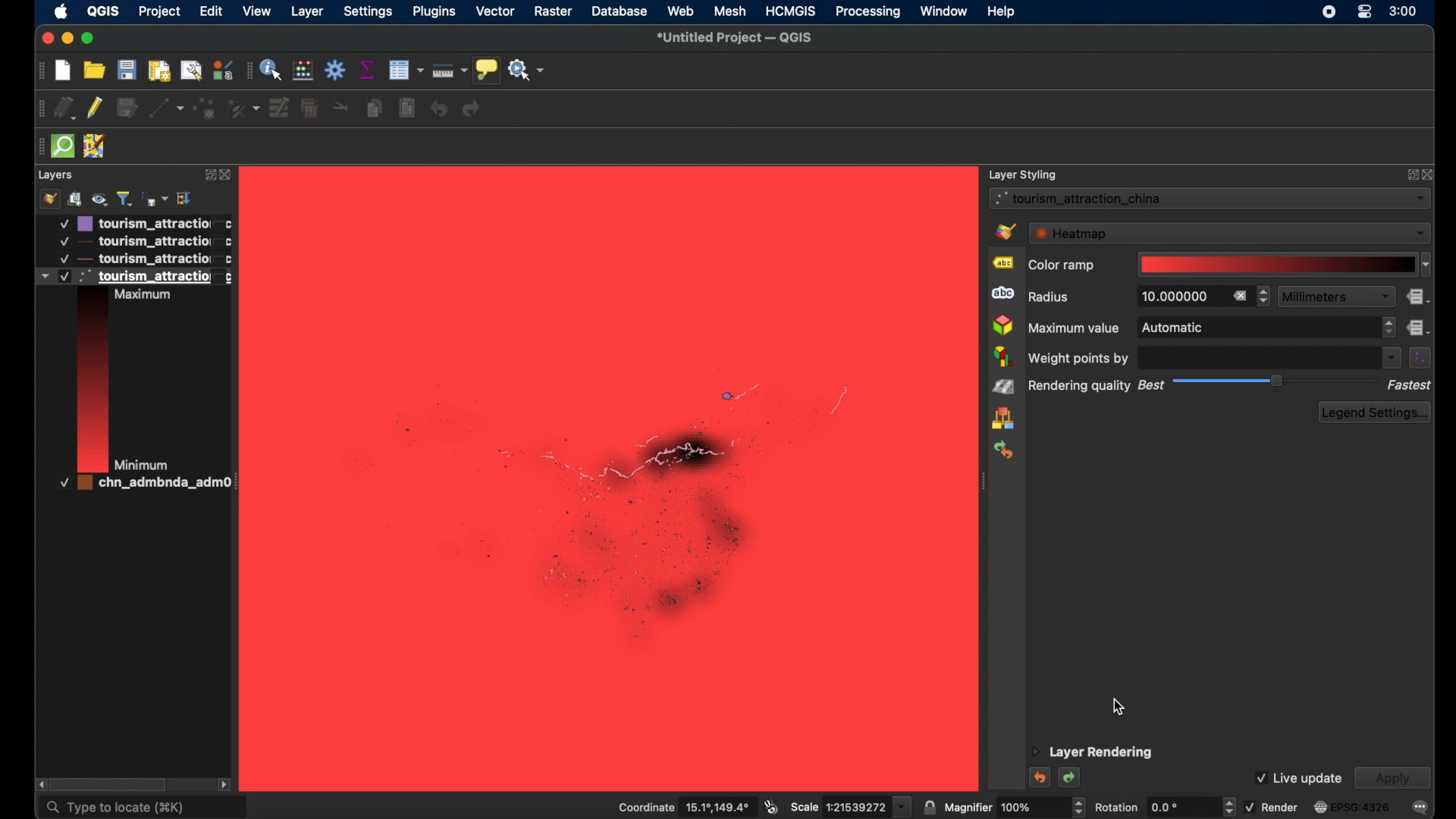 This screenshot has width=1456, height=819. Describe the element at coordinates (49, 199) in the screenshot. I see `open styling panel` at that location.